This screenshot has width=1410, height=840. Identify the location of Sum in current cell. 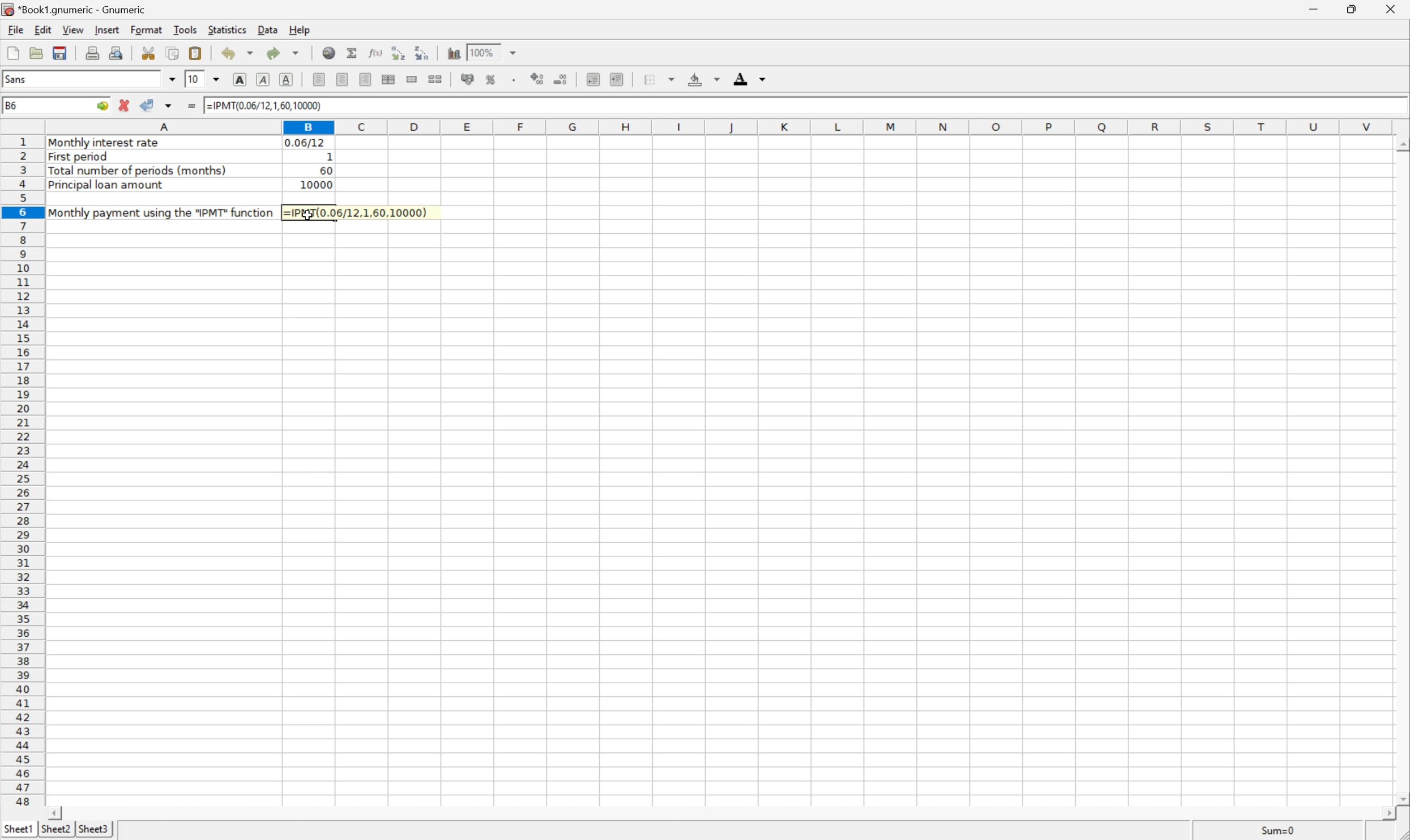
(350, 53).